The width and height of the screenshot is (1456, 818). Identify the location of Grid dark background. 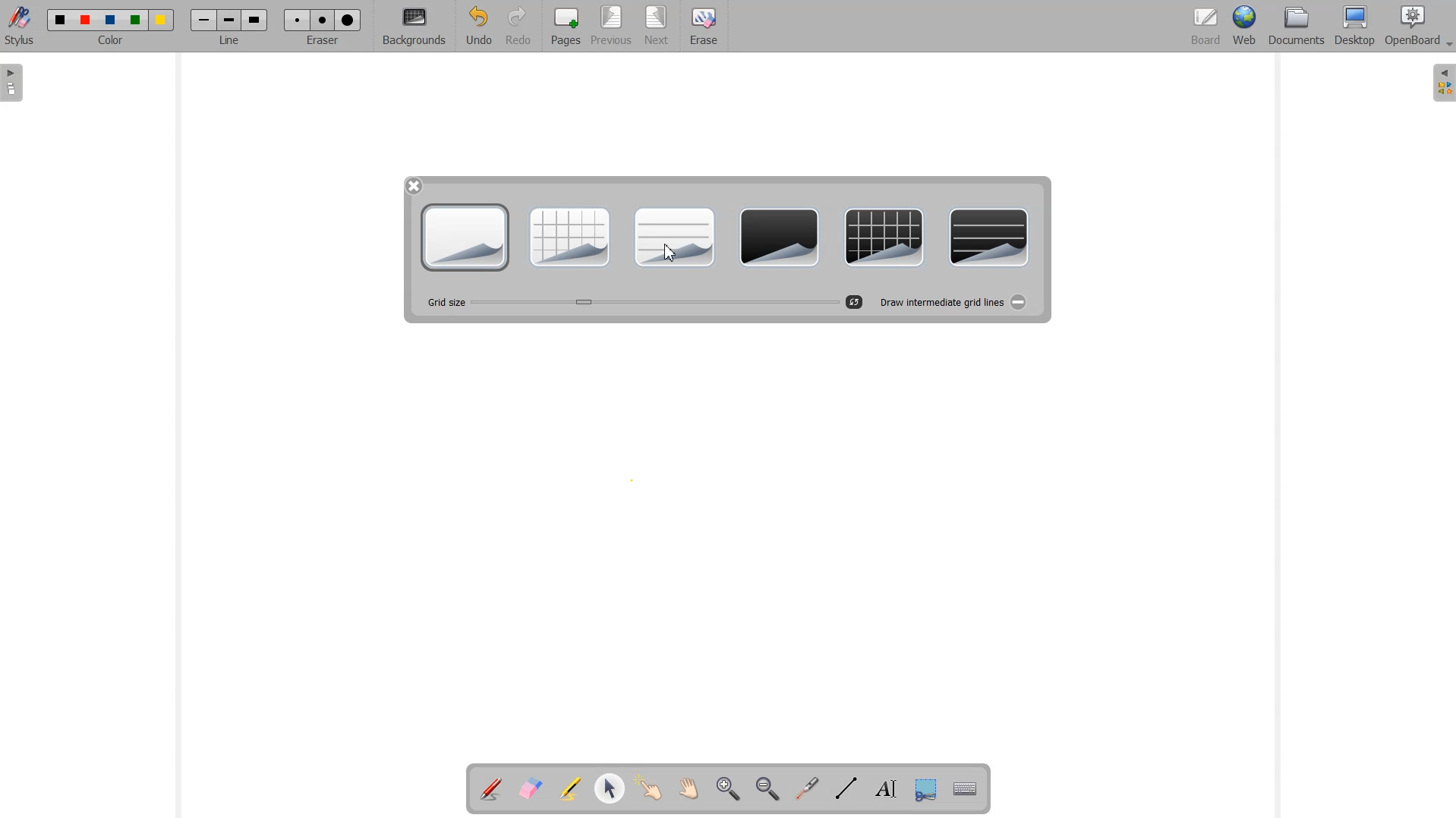
(884, 238).